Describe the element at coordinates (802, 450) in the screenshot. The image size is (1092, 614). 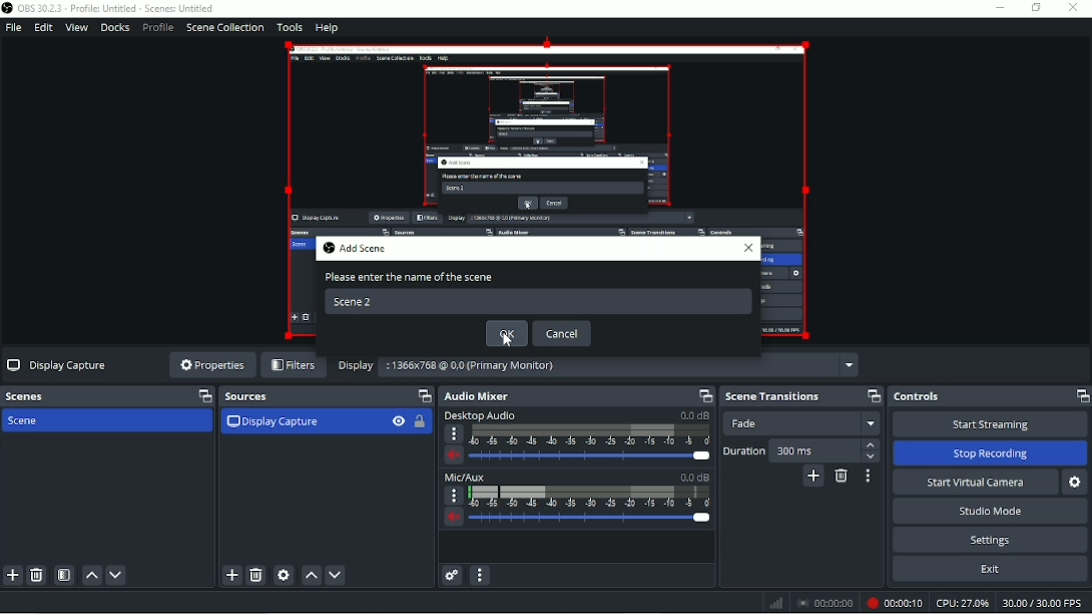
I see `Duration 300 ms` at that location.